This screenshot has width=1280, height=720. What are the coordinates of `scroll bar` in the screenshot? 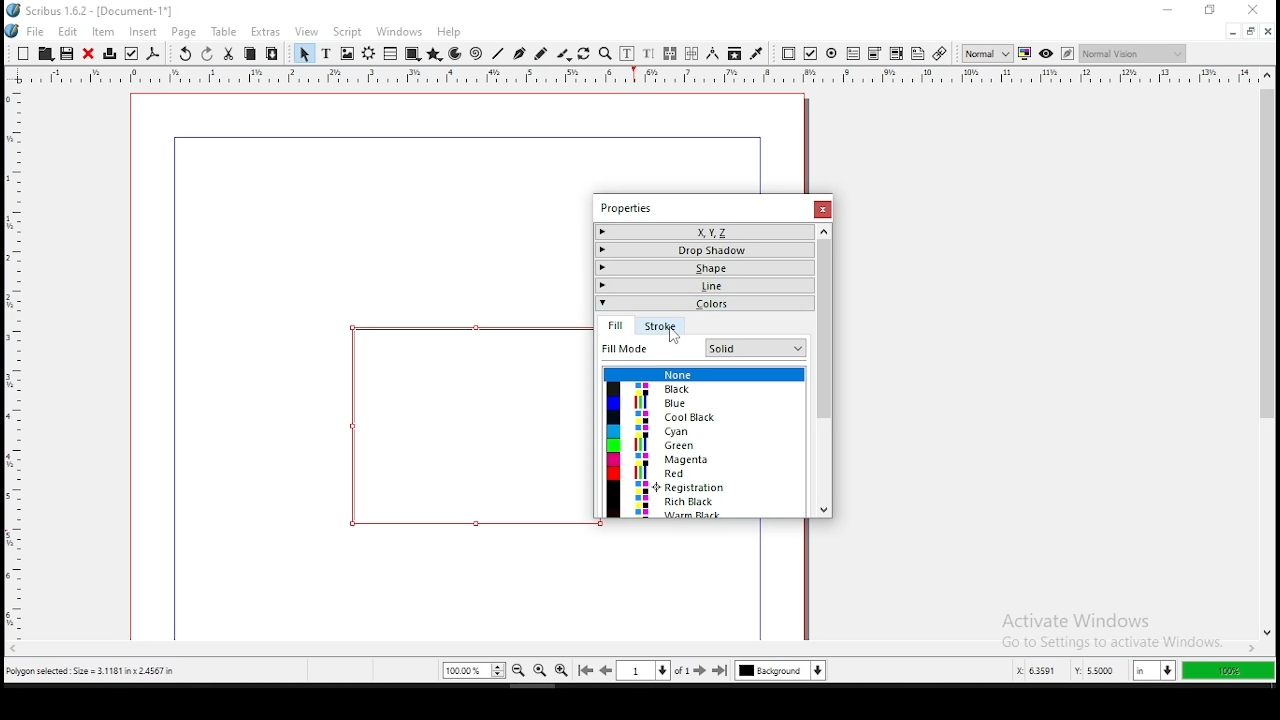 It's located at (821, 370).